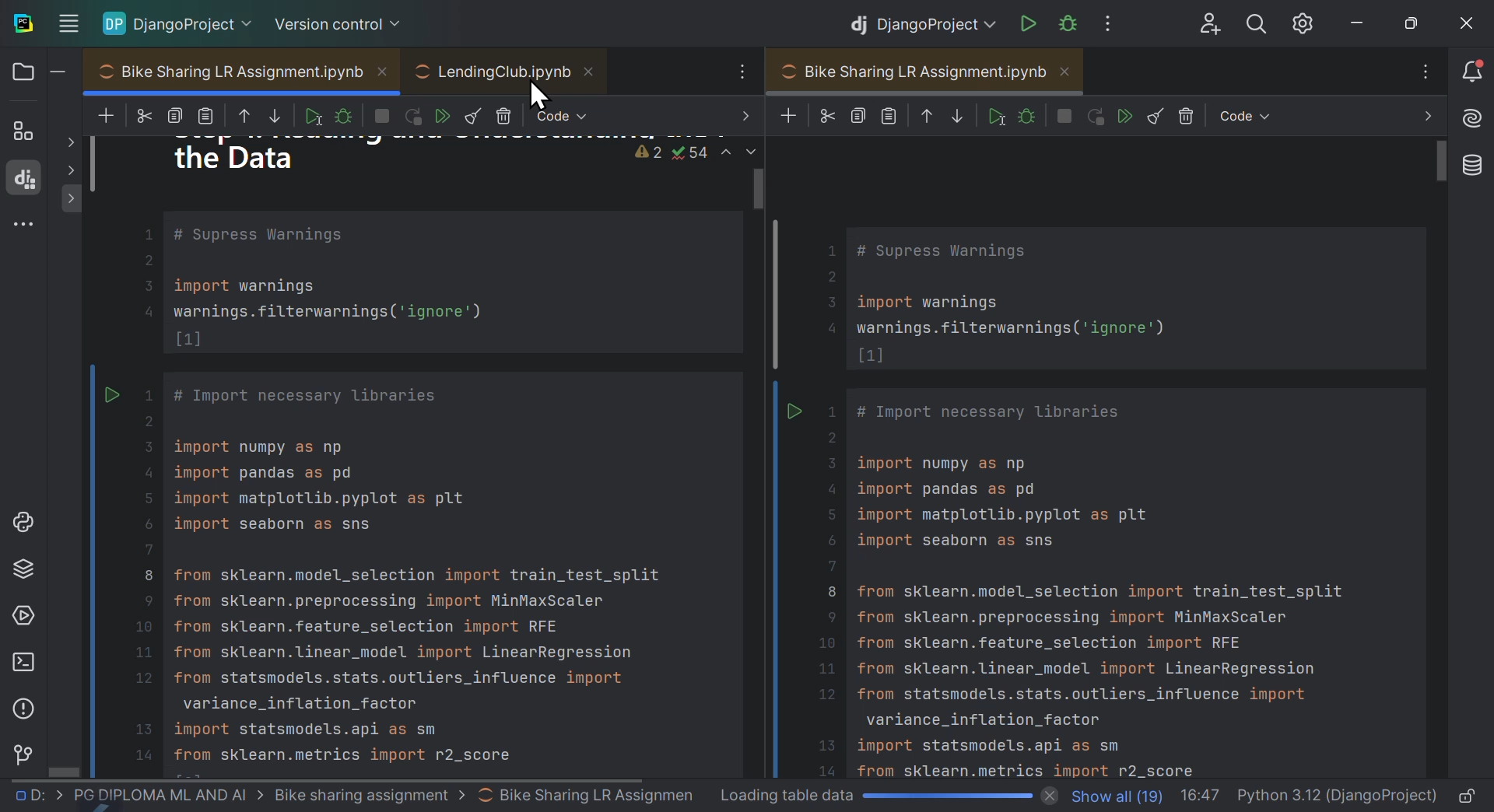 This screenshot has height=812, width=1494. I want to click on Bike sharing L R assignment, so click(249, 72).